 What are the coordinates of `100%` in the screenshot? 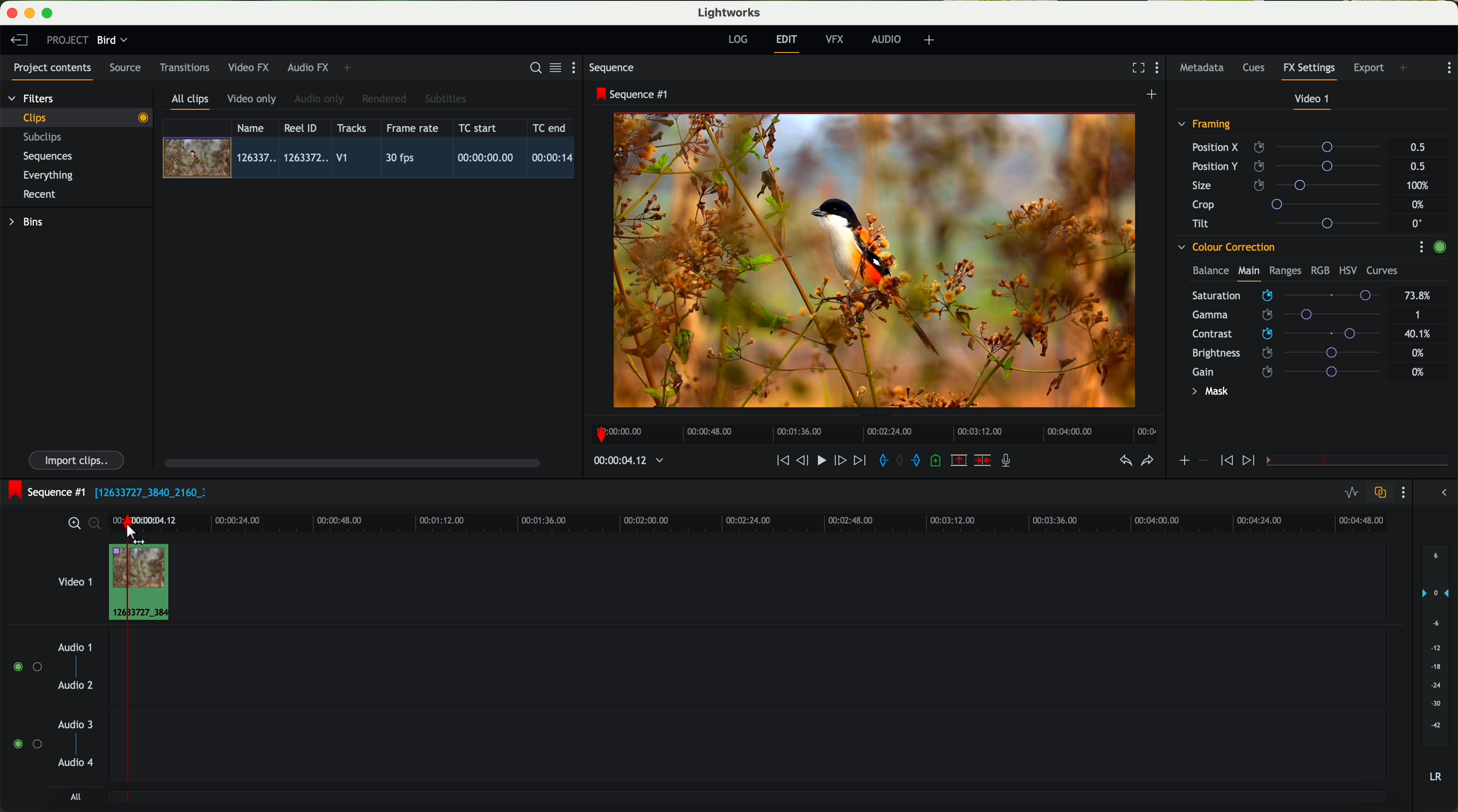 It's located at (1421, 186).